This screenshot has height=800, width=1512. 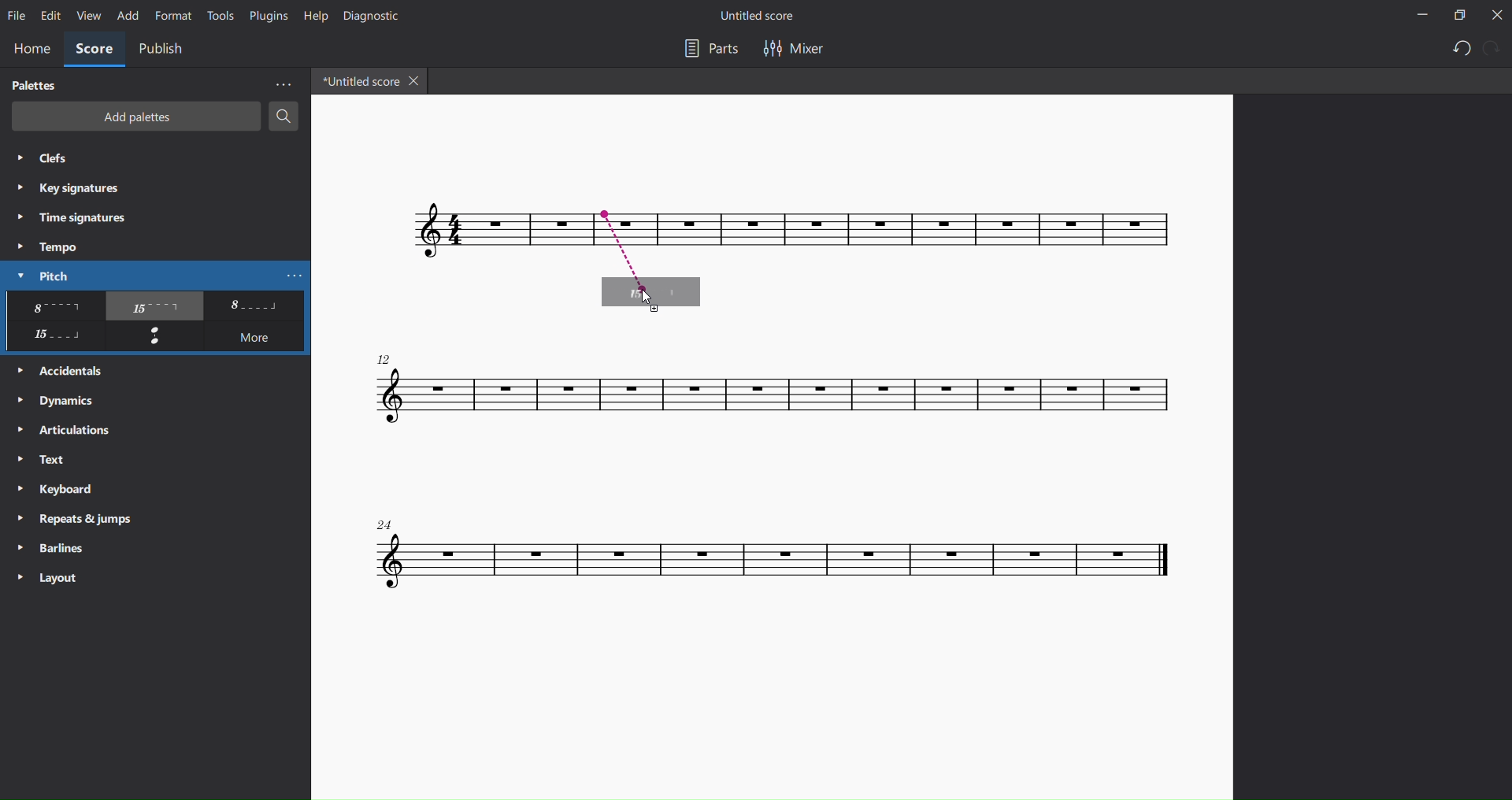 I want to click on add palettes, so click(x=132, y=117).